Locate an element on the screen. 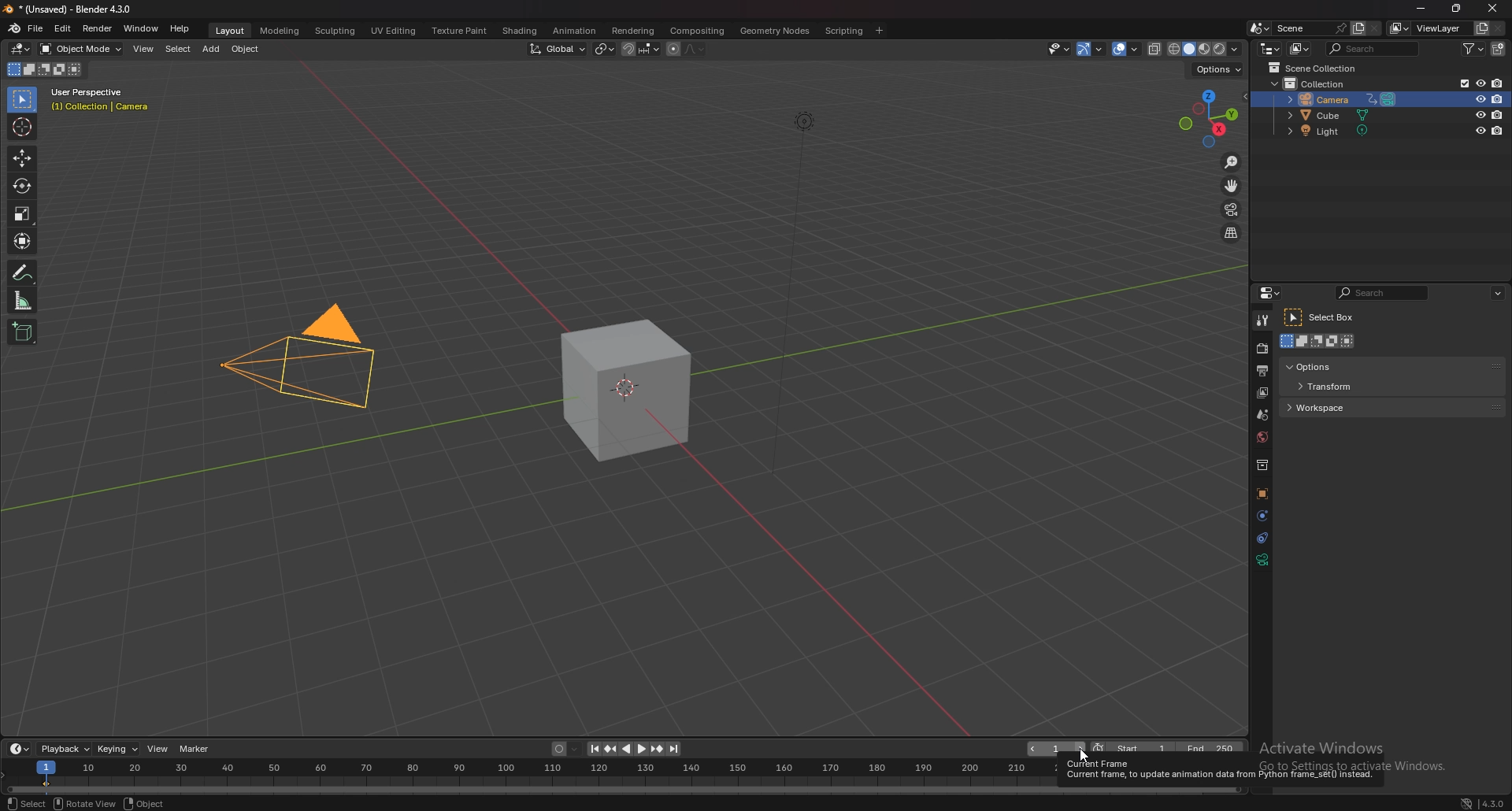 The width and height of the screenshot is (1512, 811). transform pivot point is located at coordinates (603, 49).